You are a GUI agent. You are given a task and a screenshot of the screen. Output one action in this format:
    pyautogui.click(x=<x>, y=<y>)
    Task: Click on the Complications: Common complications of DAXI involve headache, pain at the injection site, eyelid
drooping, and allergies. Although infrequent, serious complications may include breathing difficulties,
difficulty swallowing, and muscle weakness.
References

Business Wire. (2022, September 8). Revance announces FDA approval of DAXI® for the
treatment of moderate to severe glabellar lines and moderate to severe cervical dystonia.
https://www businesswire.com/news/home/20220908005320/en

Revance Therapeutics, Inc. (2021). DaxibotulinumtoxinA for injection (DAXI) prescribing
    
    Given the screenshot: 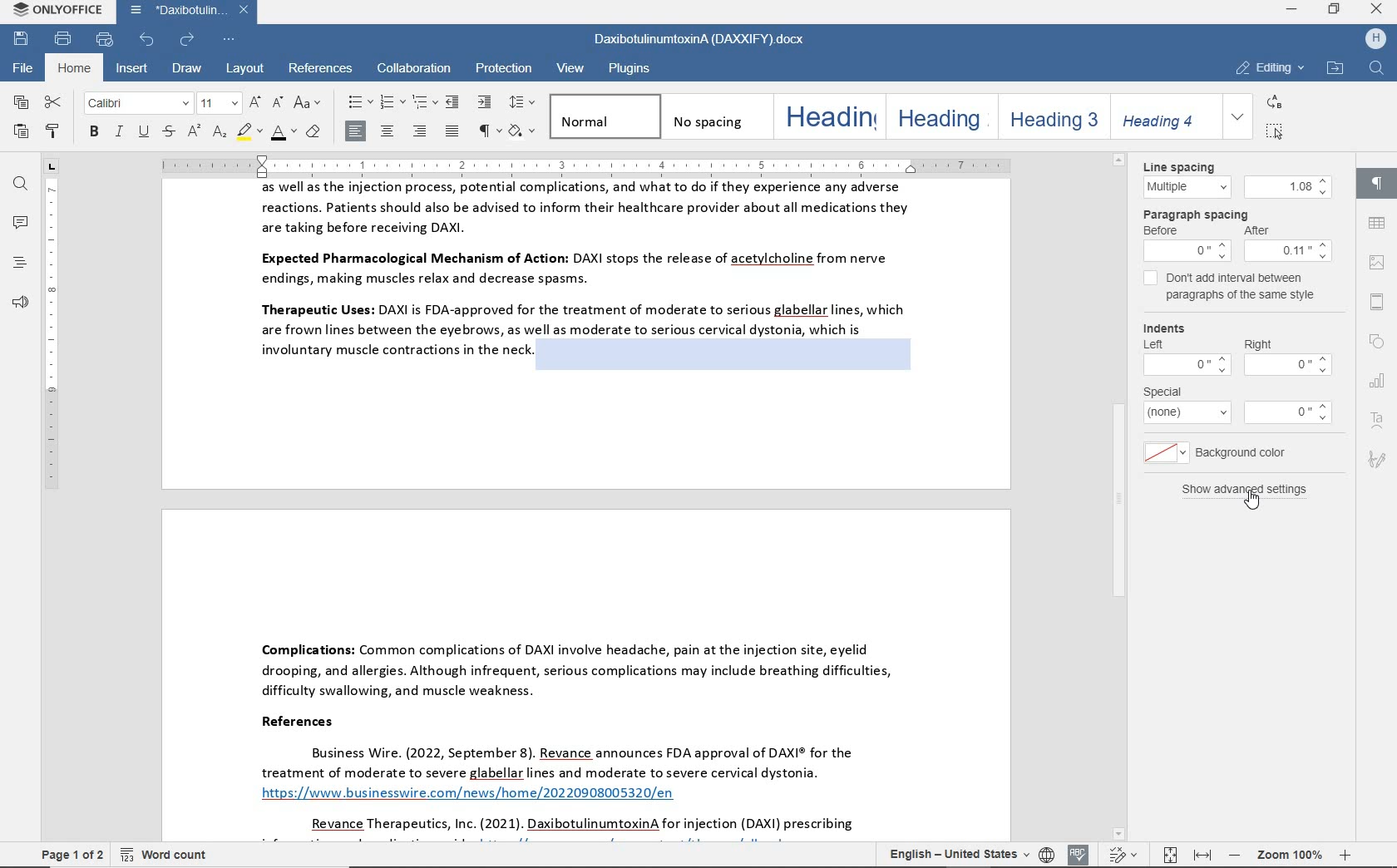 What is the action you would take?
    pyautogui.click(x=593, y=674)
    